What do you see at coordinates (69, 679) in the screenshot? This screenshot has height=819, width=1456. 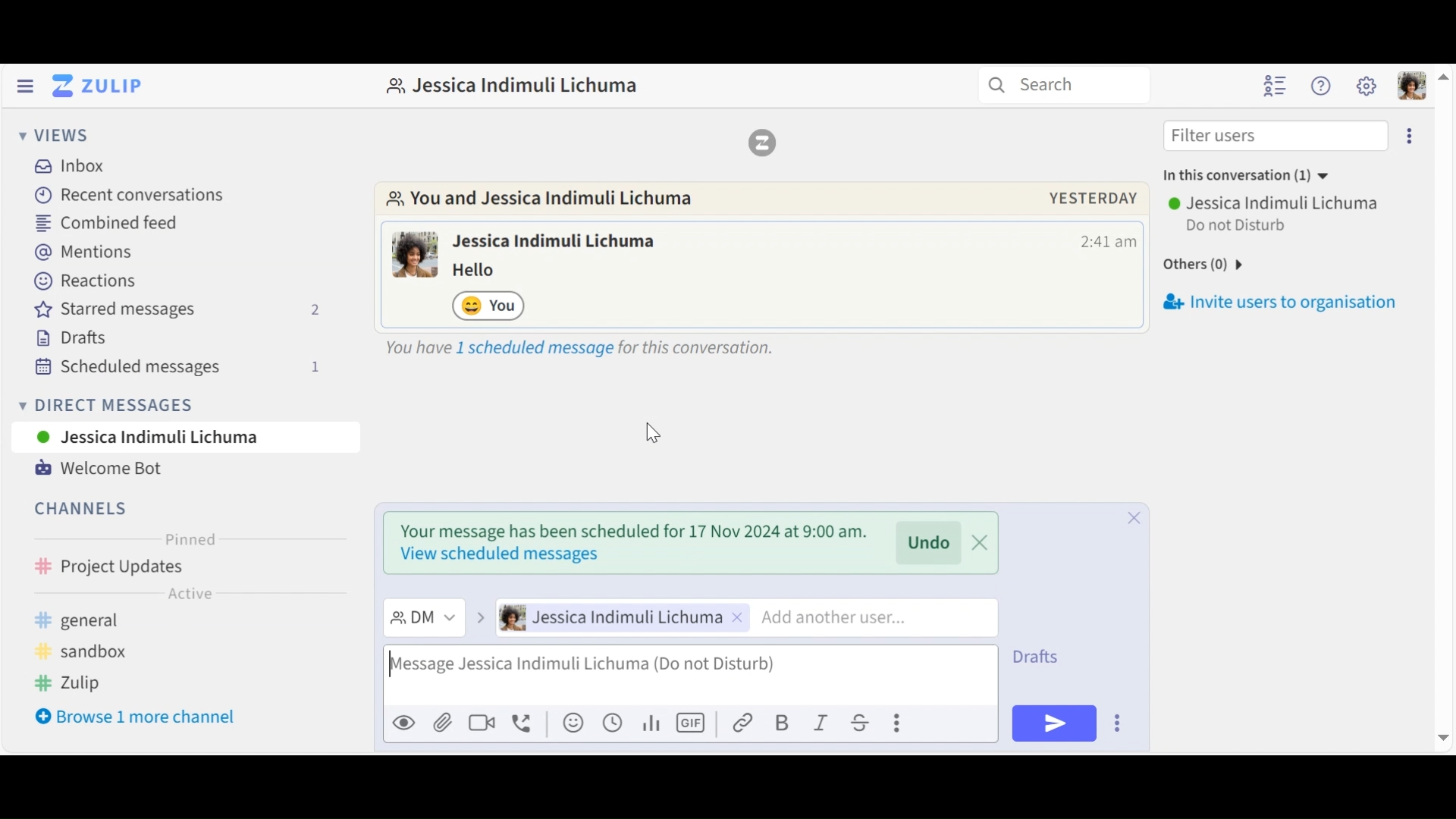 I see `zulip` at bounding box center [69, 679].